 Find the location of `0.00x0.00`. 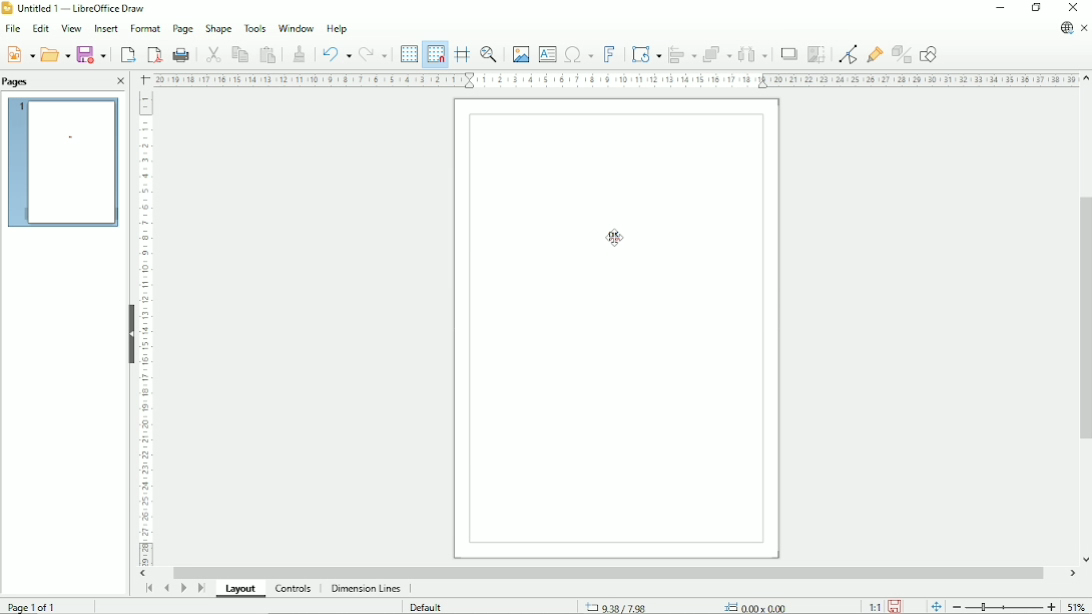

0.00x0.00 is located at coordinates (759, 606).